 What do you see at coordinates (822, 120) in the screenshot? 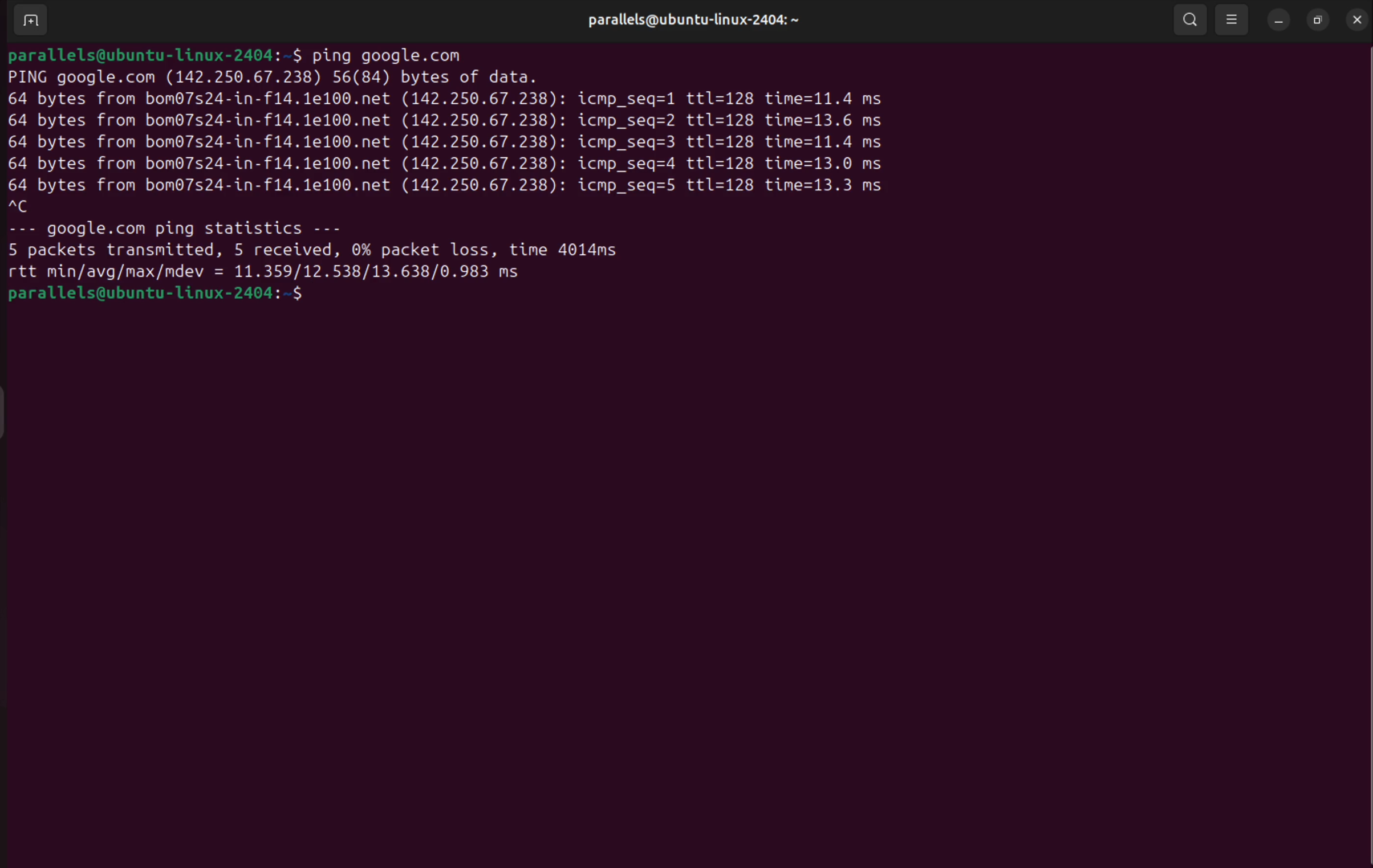
I see `time 1.4 ms` at bounding box center [822, 120].